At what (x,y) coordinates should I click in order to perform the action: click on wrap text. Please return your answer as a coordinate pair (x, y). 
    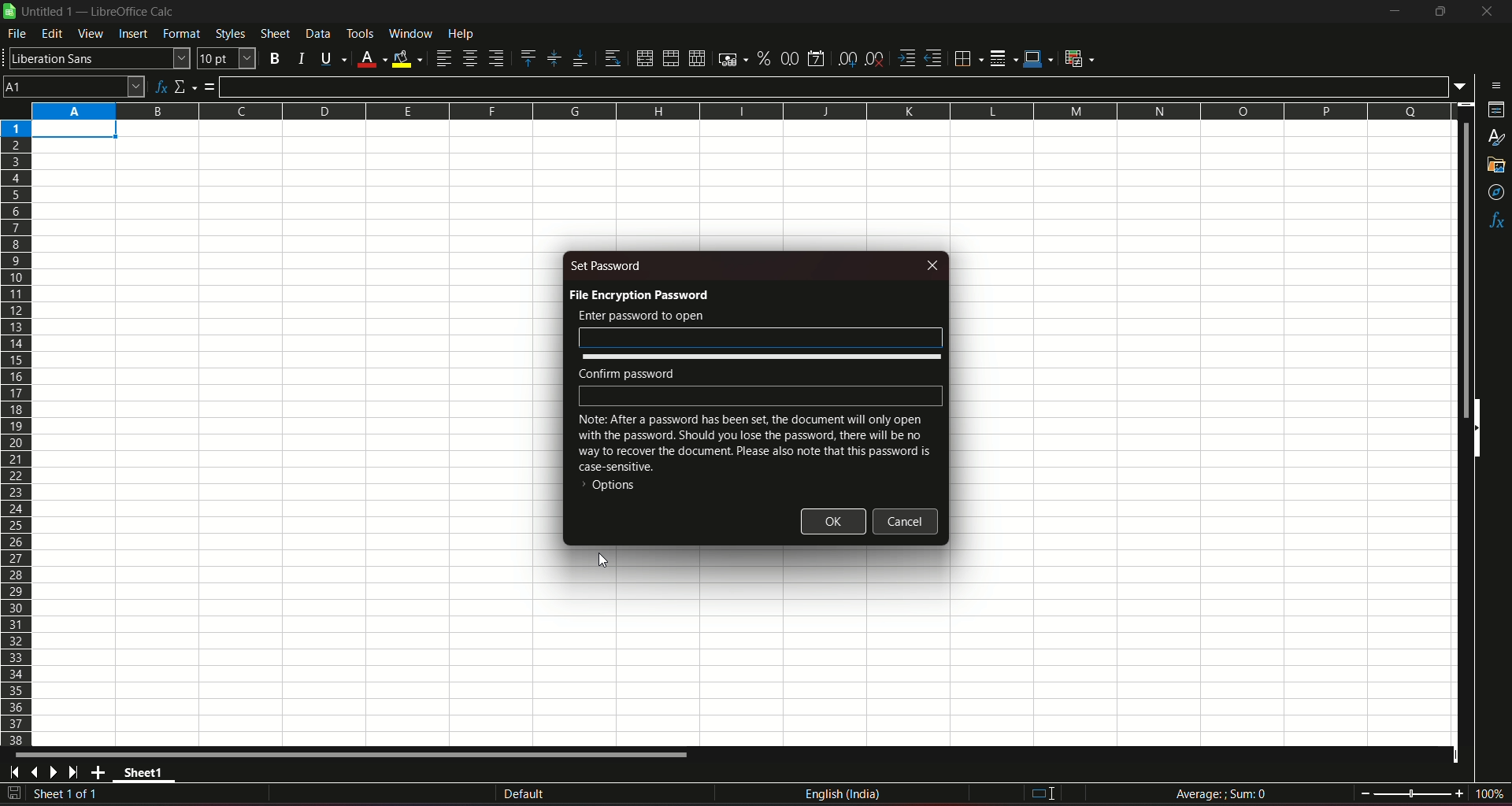
    Looking at the image, I should click on (610, 57).